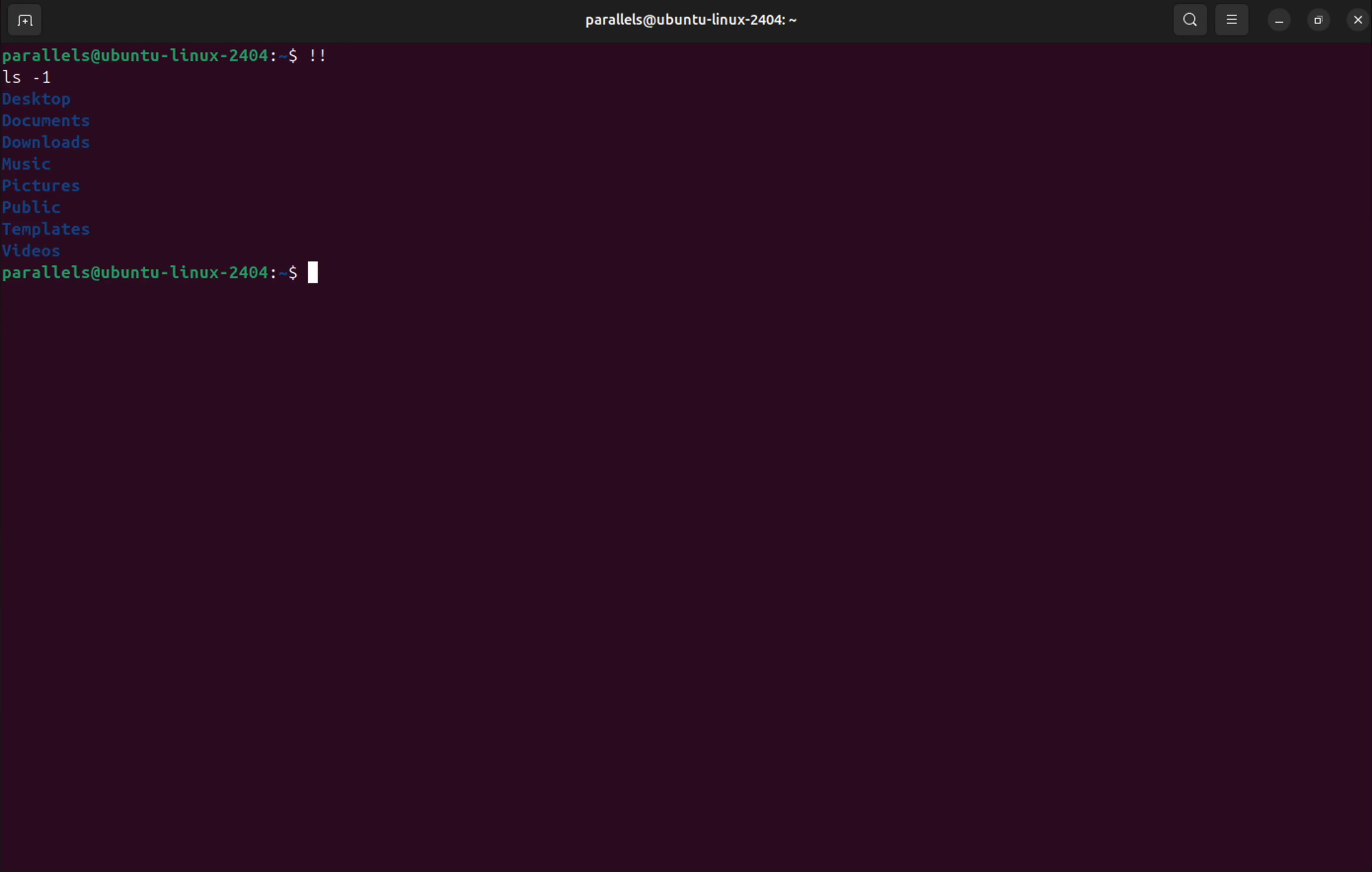 The height and width of the screenshot is (872, 1372). I want to click on add terminal, so click(30, 22).